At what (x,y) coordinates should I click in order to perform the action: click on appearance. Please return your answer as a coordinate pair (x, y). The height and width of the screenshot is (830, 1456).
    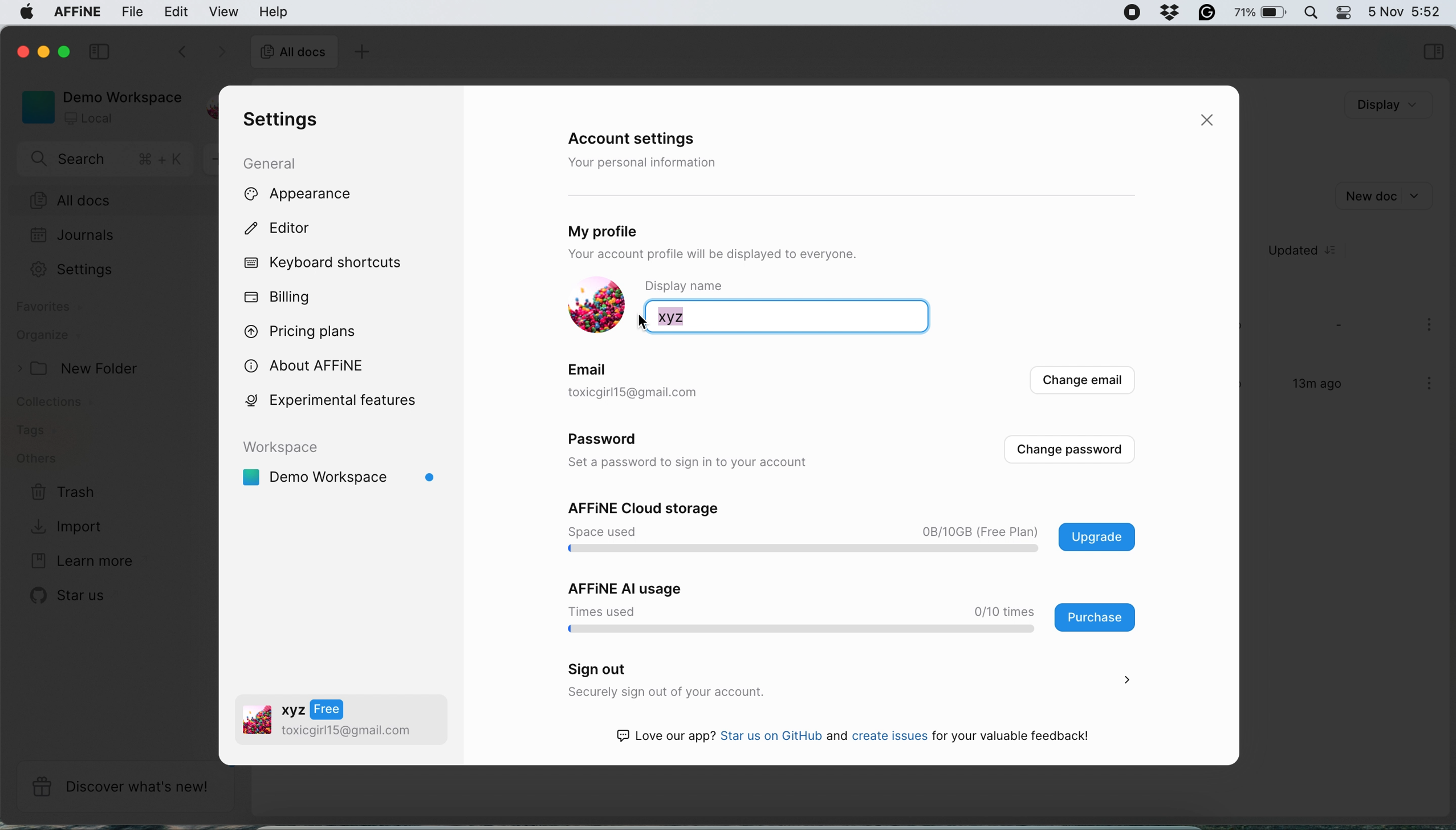
    Looking at the image, I should click on (317, 195).